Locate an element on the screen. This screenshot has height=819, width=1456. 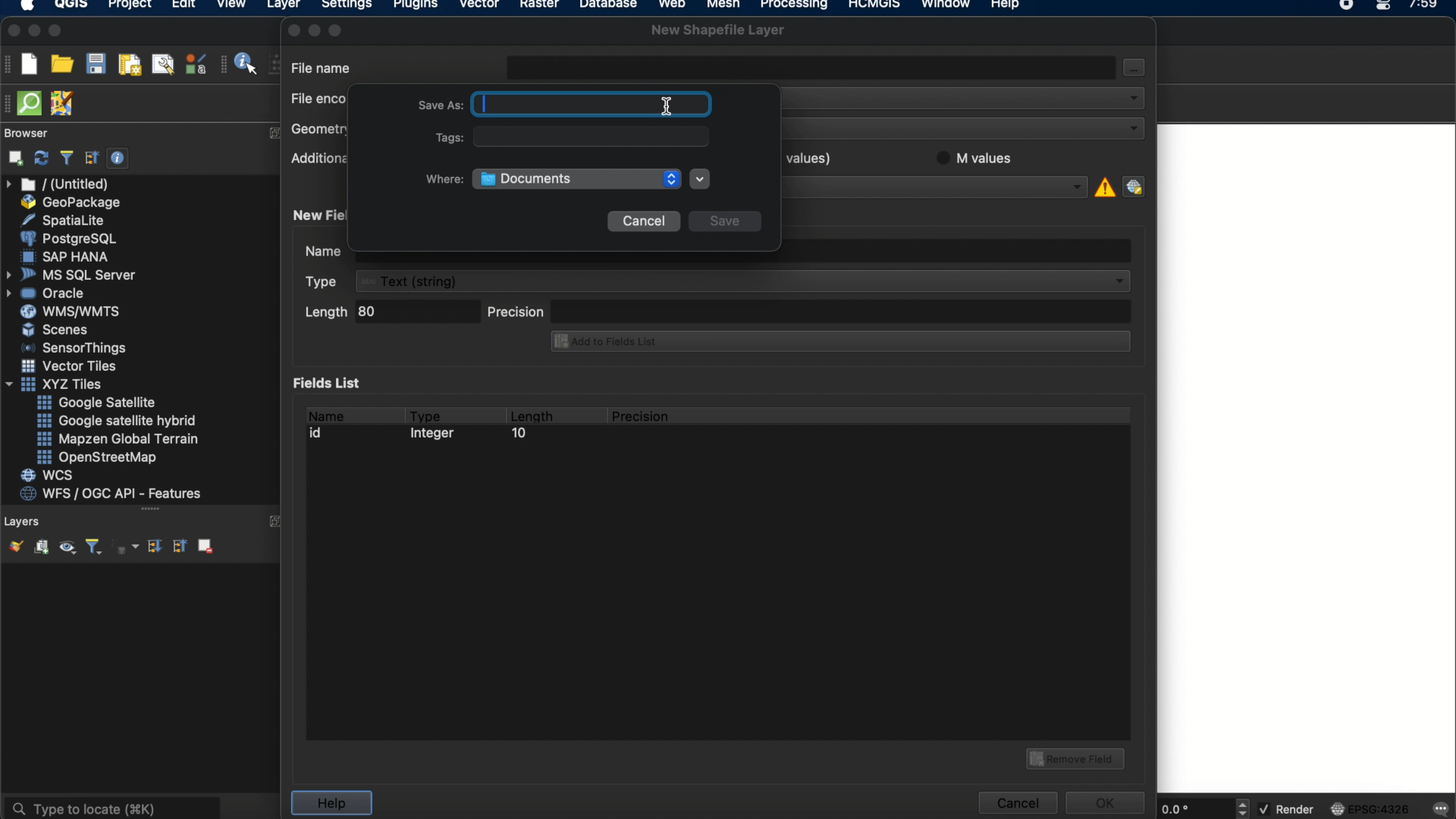
dropdown is located at coordinates (700, 179).